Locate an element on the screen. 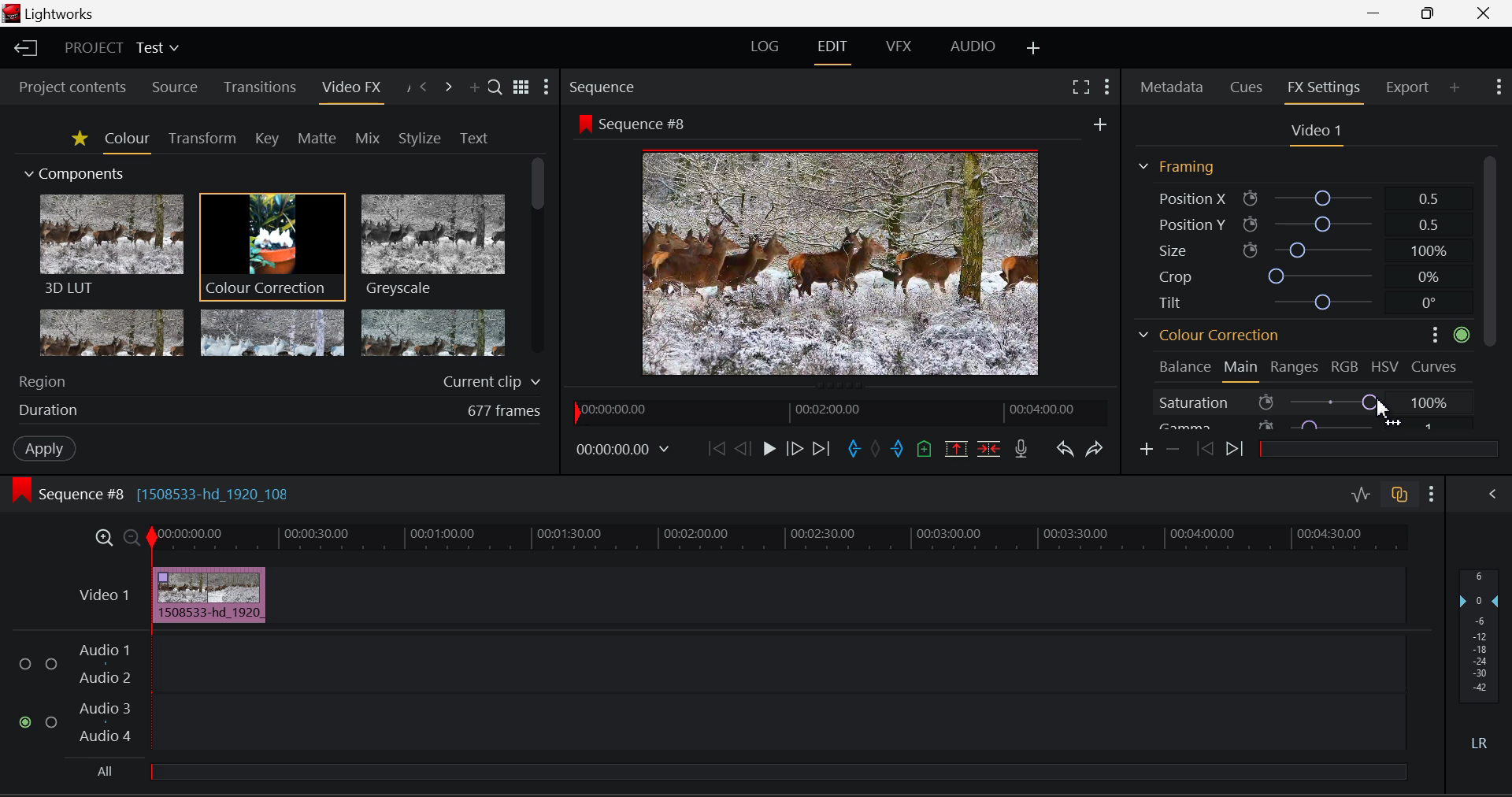 The width and height of the screenshot is (1512, 797). Cues is located at coordinates (1246, 87).